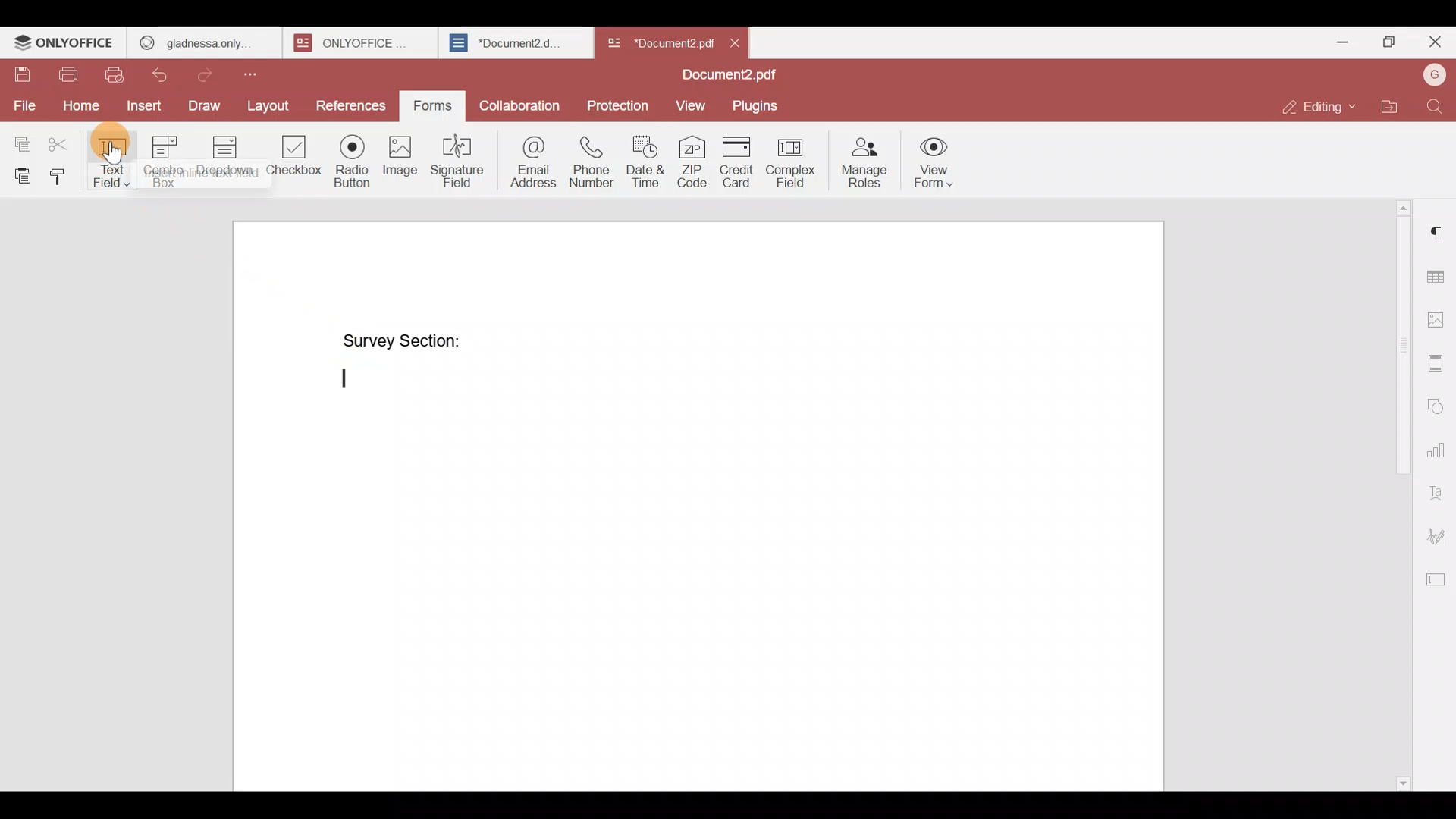 This screenshot has width=1456, height=819. Describe the element at coordinates (1439, 107) in the screenshot. I see `Find` at that location.